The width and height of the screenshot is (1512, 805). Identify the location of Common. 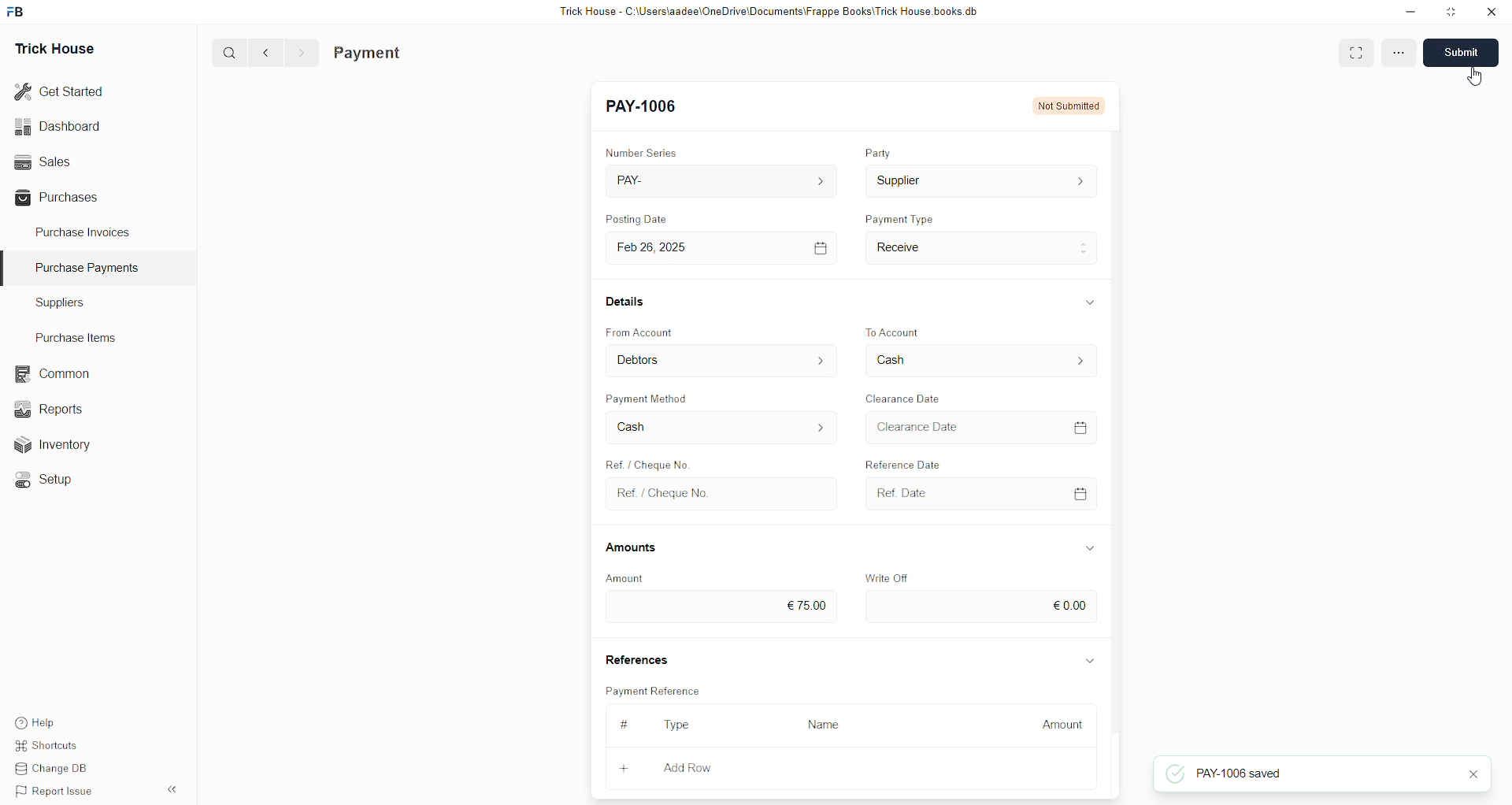
(50, 373).